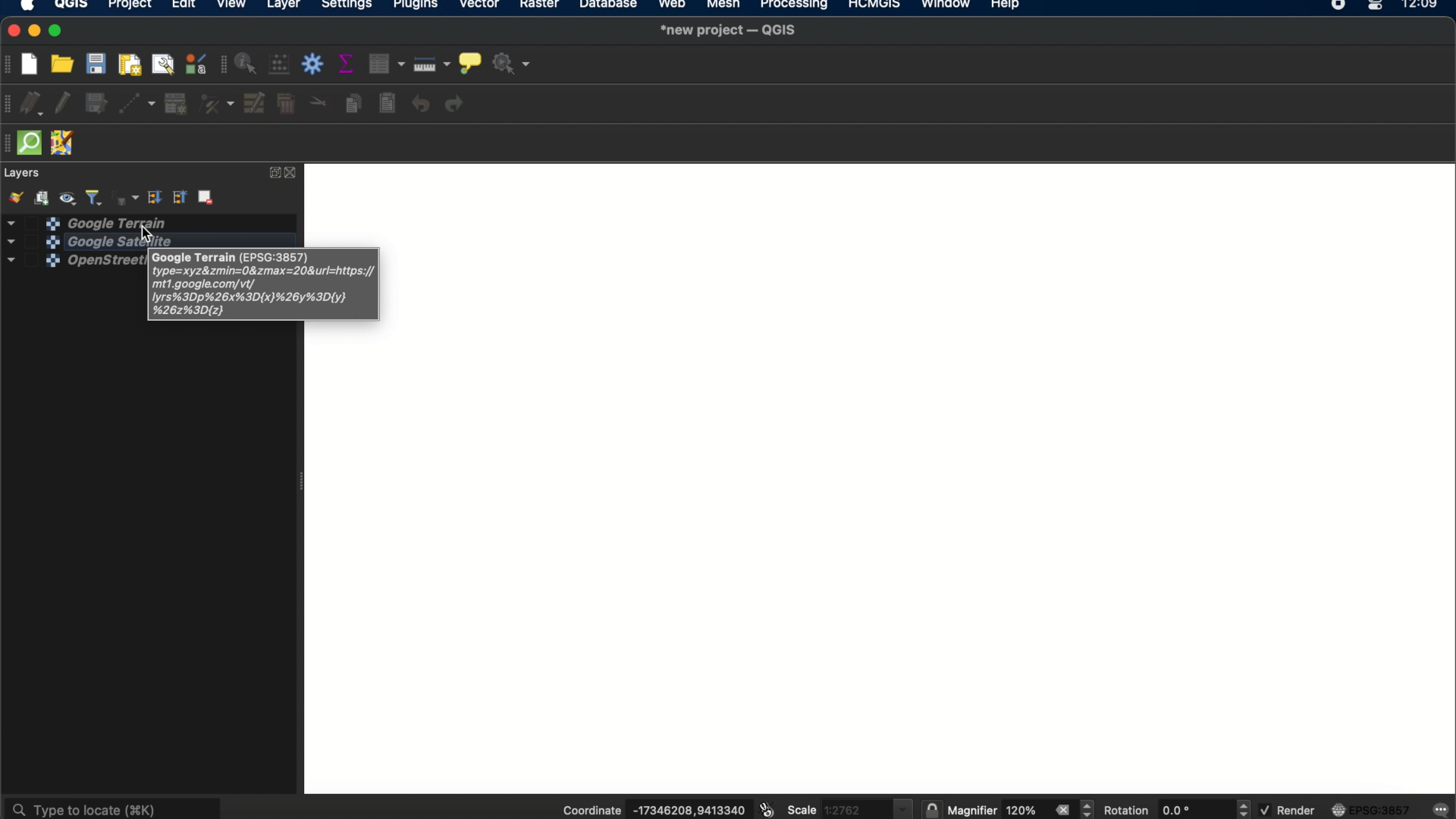 The width and height of the screenshot is (1456, 819). What do you see at coordinates (33, 143) in the screenshot?
I see `quickOSm` at bounding box center [33, 143].